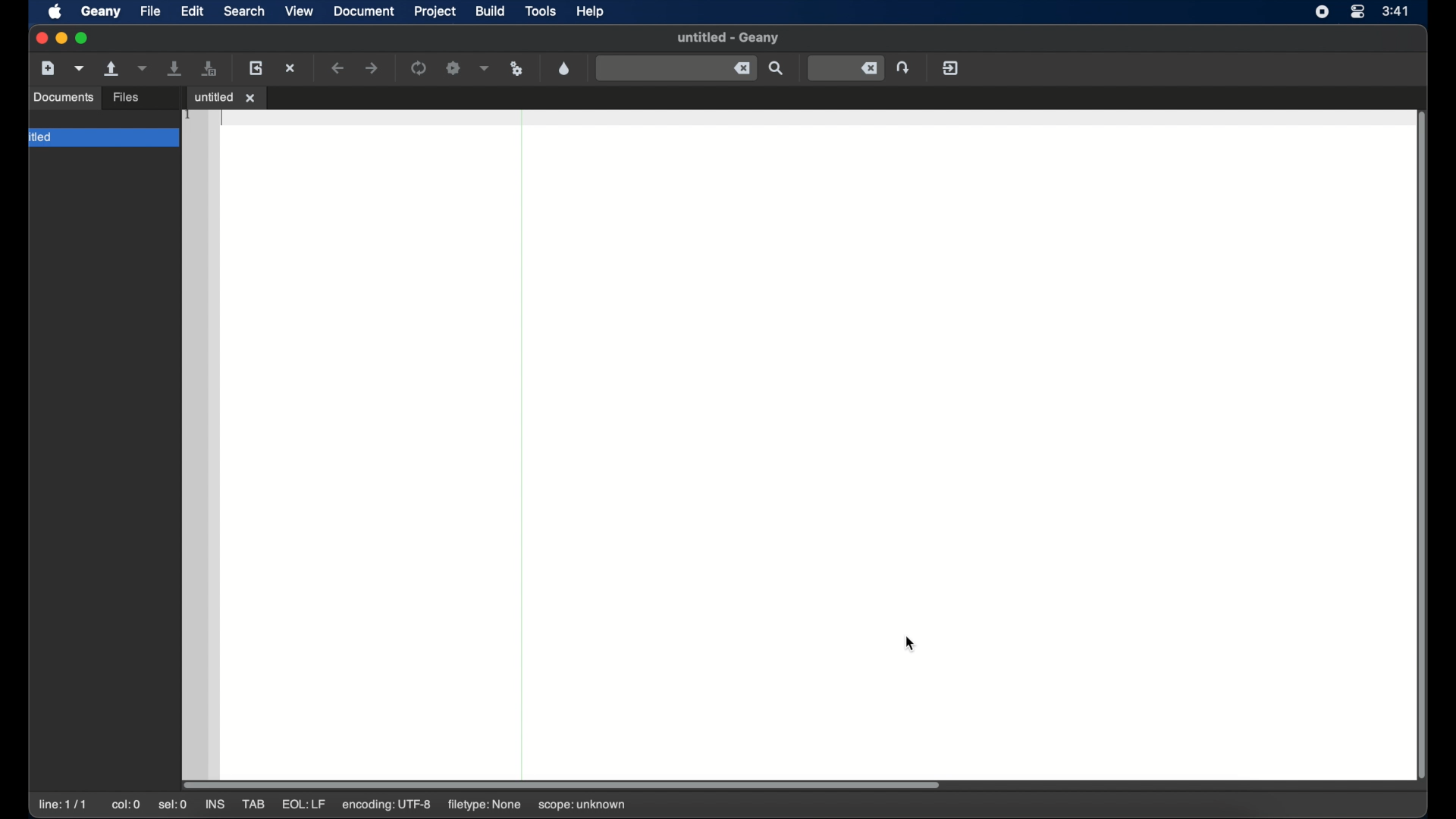  Describe the element at coordinates (300, 11) in the screenshot. I see `view` at that location.